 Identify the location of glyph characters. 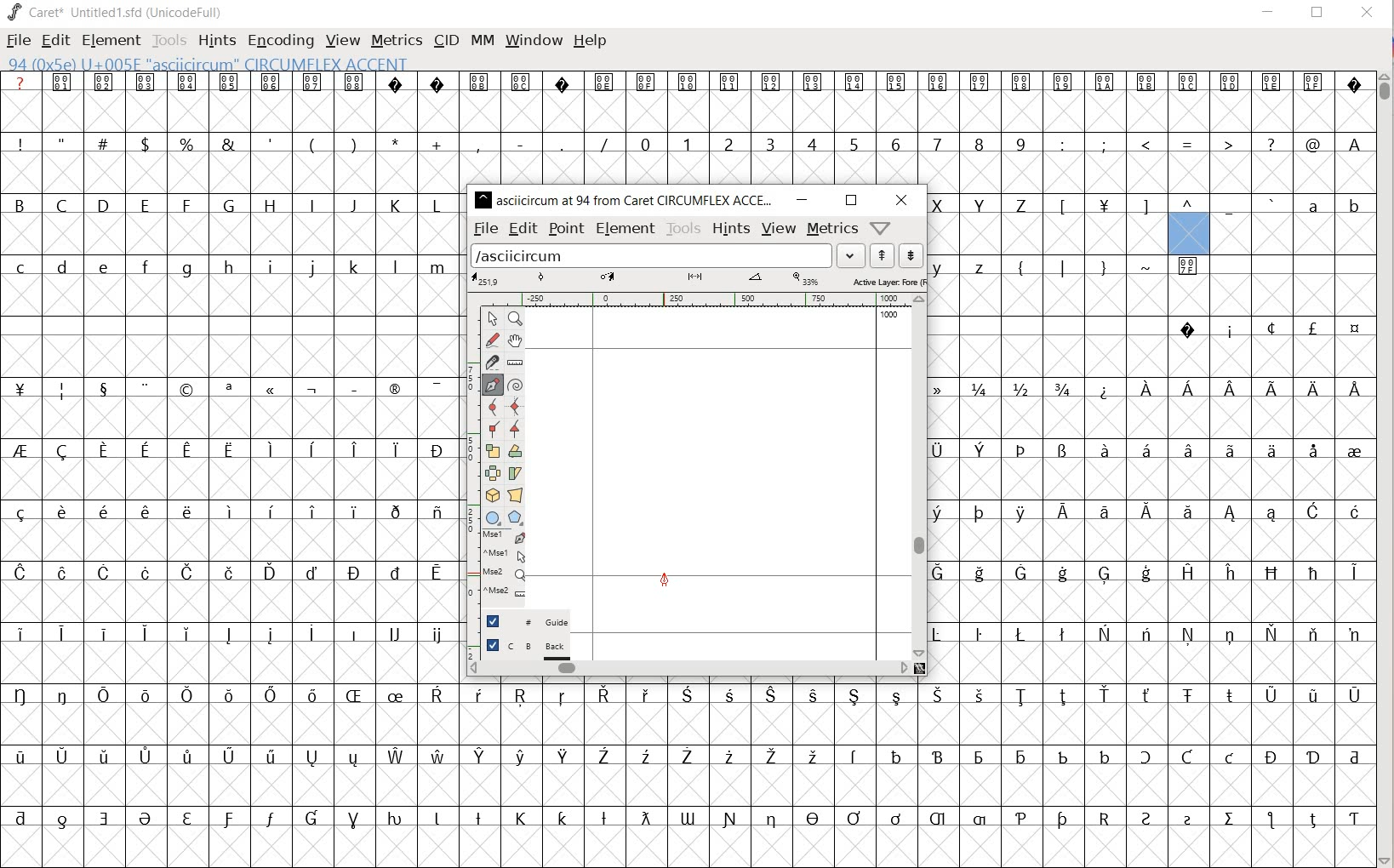
(1151, 468).